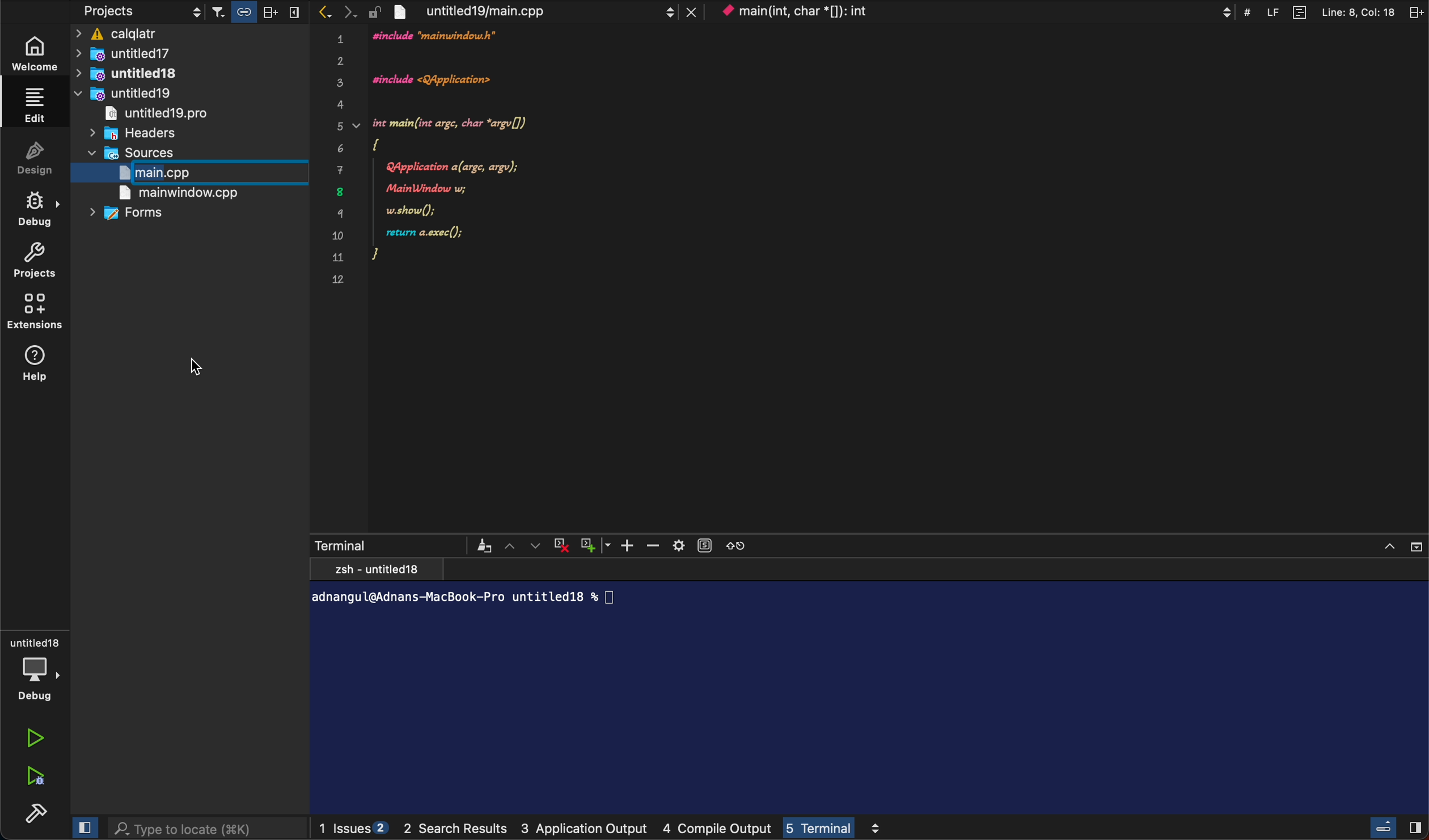  I want to click on run debug, so click(33, 778).